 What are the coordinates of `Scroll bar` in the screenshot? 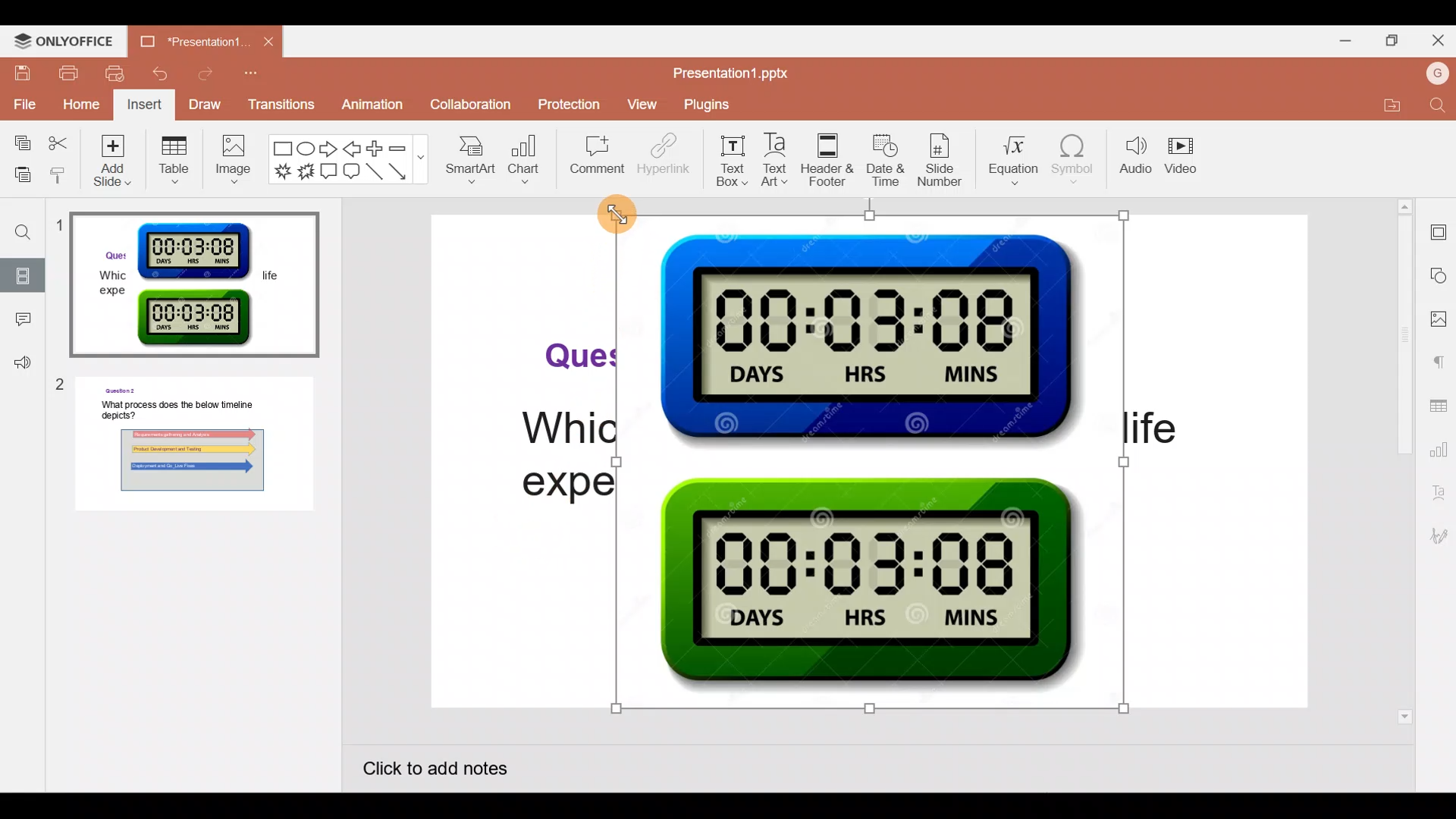 It's located at (1407, 461).